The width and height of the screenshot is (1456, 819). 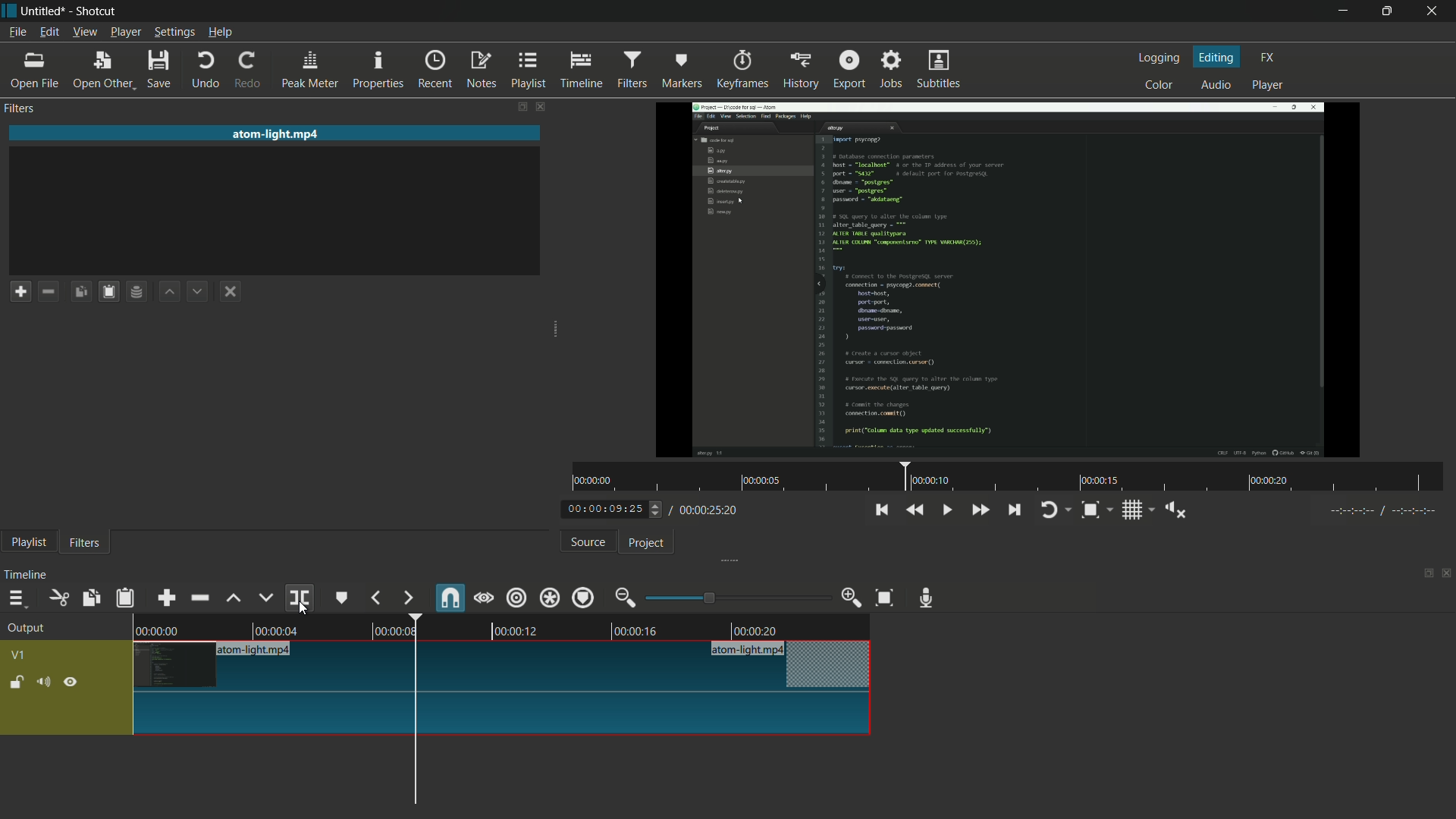 What do you see at coordinates (945, 508) in the screenshot?
I see `toggle play or pause` at bounding box center [945, 508].